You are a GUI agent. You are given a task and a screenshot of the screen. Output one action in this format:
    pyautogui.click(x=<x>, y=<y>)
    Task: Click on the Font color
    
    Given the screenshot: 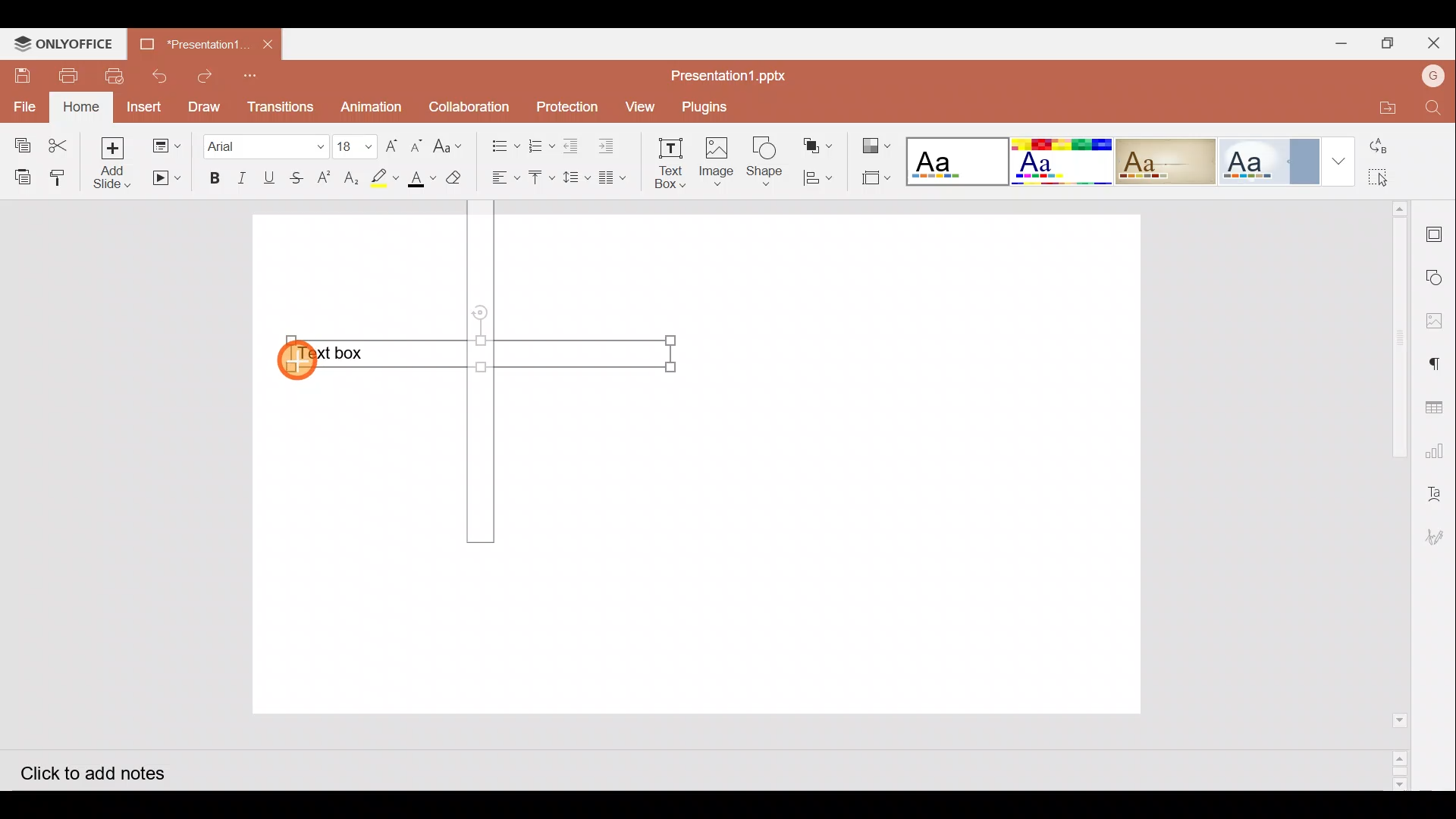 What is the action you would take?
    pyautogui.click(x=419, y=179)
    